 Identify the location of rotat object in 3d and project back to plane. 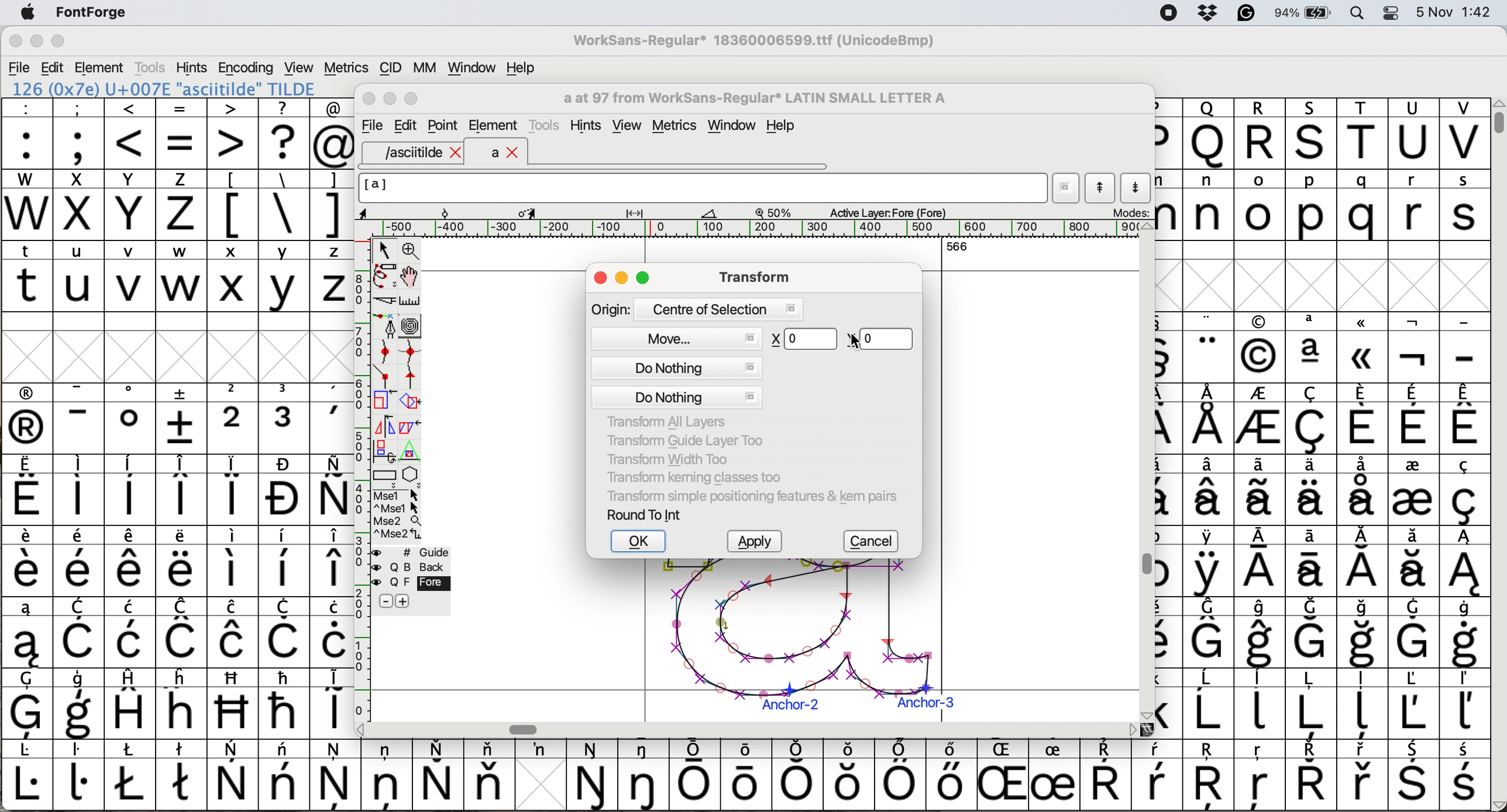
(383, 450).